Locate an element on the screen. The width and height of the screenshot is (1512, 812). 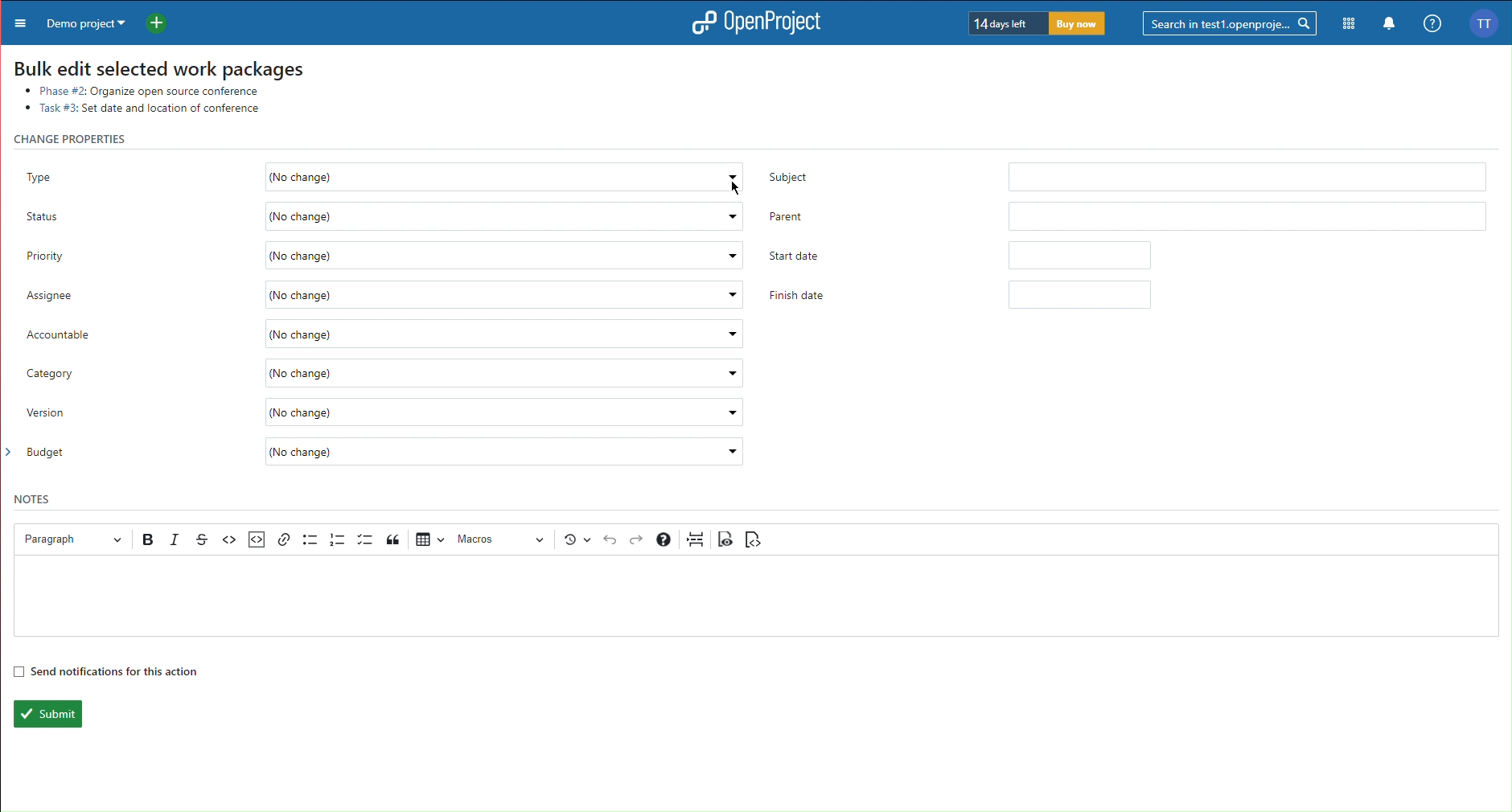
Checklist is located at coordinates (365, 539).